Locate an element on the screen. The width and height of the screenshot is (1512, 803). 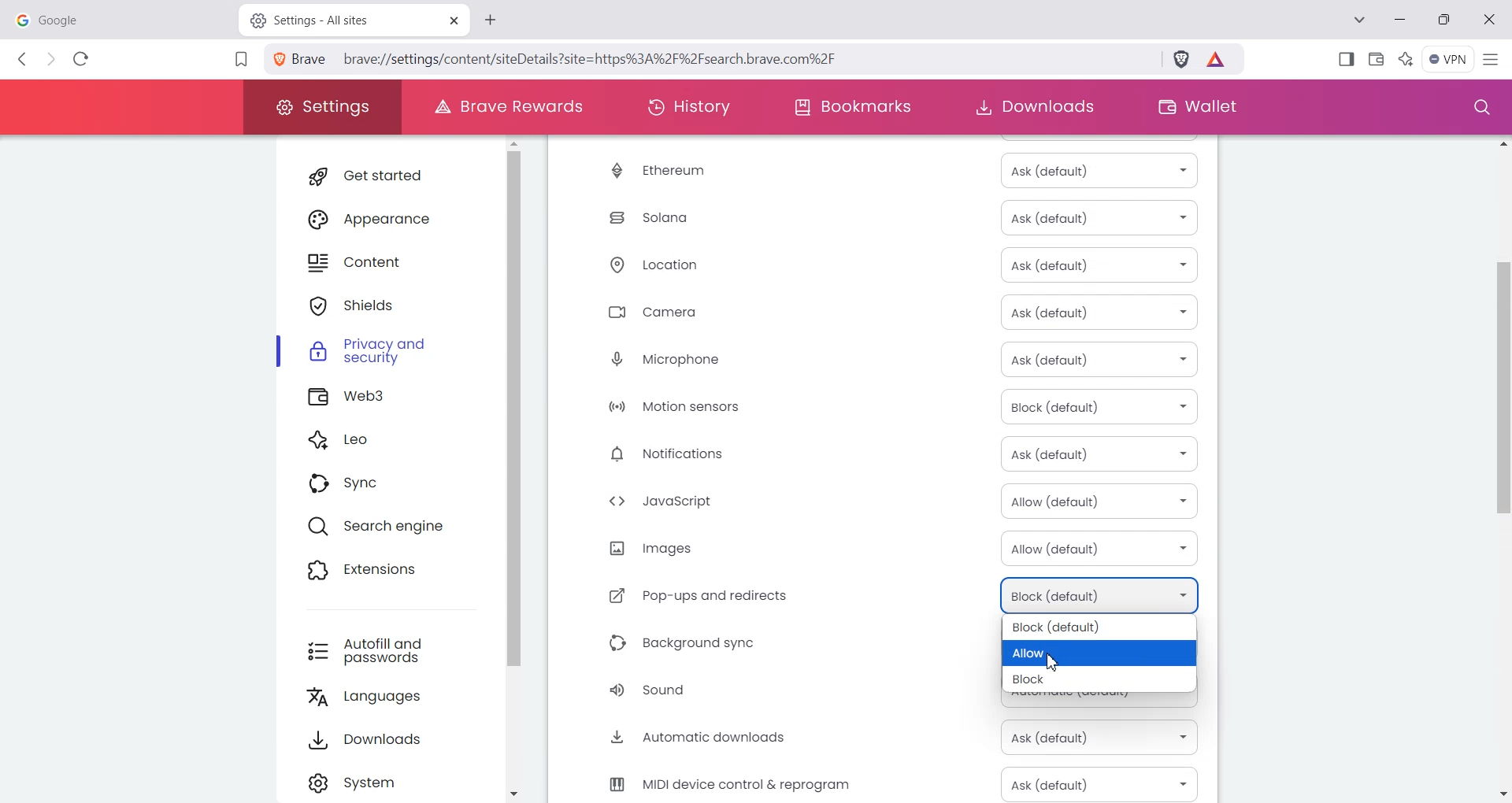
Search tab is located at coordinates (1362, 21).